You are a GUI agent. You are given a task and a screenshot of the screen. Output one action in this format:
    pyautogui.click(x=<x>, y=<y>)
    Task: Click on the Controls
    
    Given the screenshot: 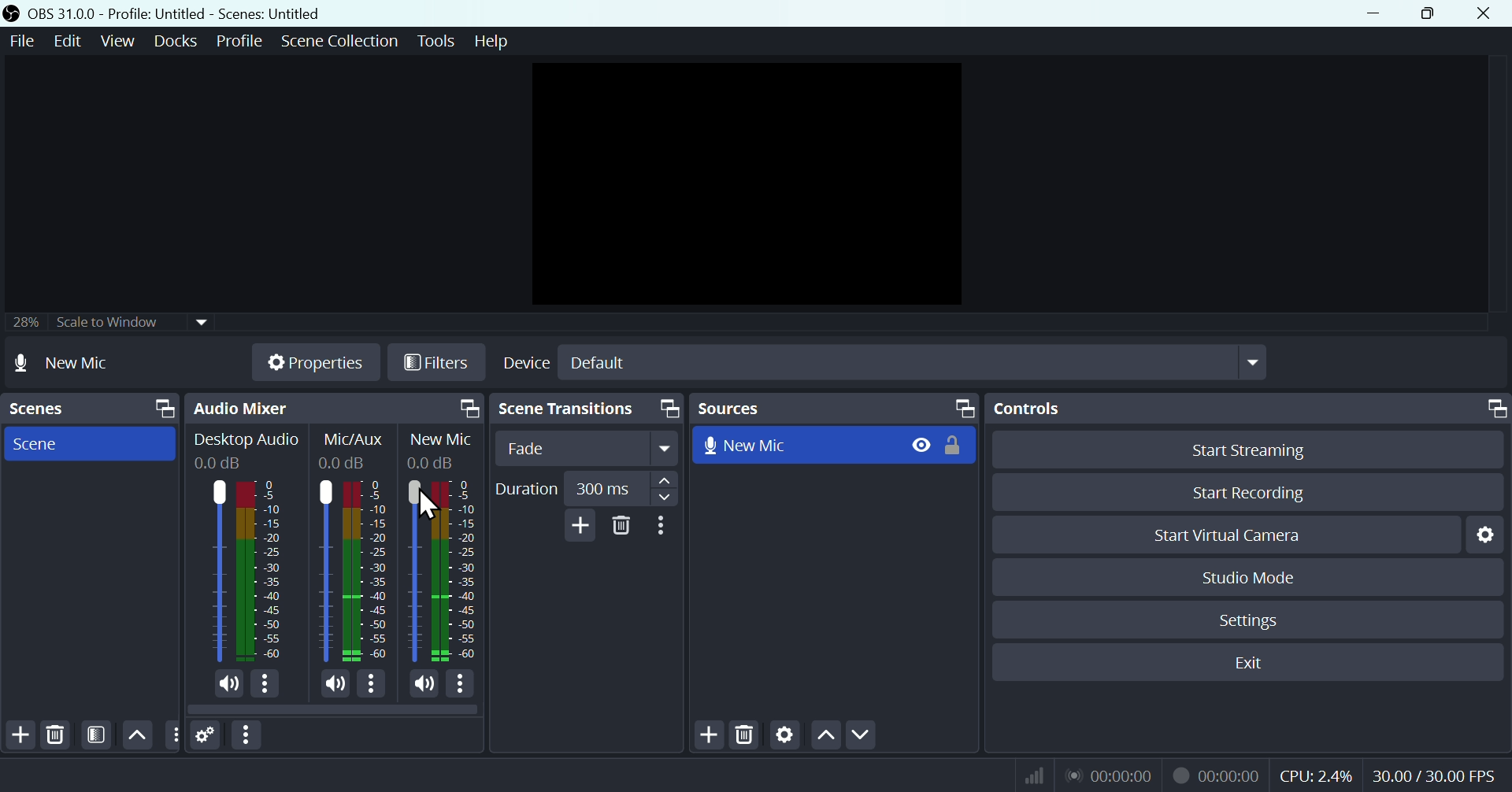 What is the action you would take?
    pyautogui.click(x=1251, y=409)
    